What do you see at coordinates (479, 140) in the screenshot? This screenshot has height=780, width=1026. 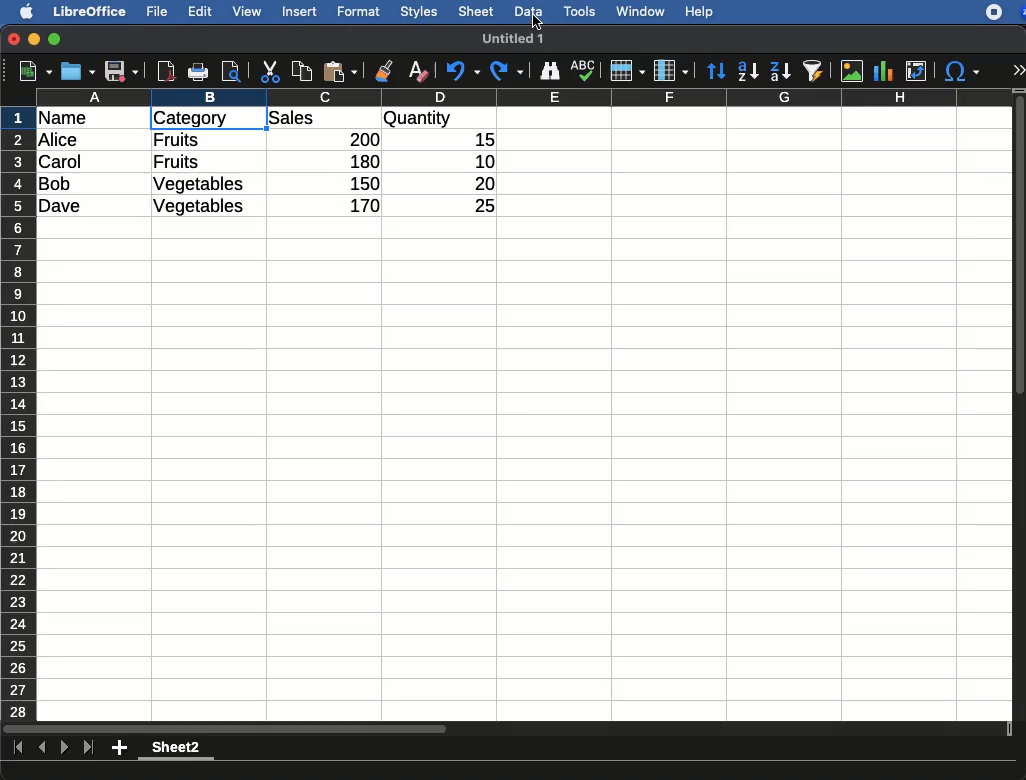 I see `15` at bounding box center [479, 140].